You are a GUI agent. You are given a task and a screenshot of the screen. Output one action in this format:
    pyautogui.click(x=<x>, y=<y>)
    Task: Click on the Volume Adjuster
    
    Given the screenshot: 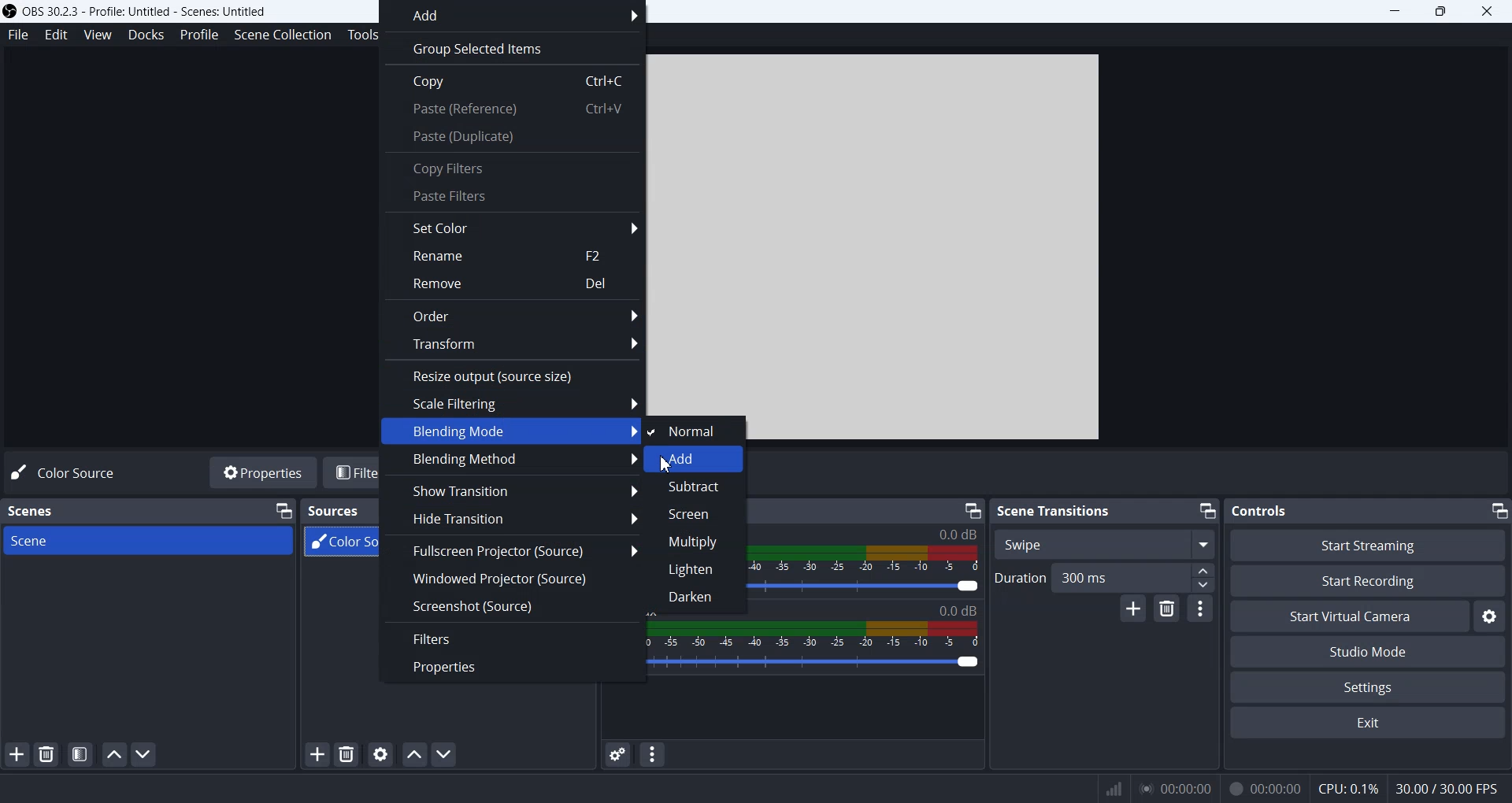 What is the action you would take?
    pyautogui.click(x=818, y=661)
    